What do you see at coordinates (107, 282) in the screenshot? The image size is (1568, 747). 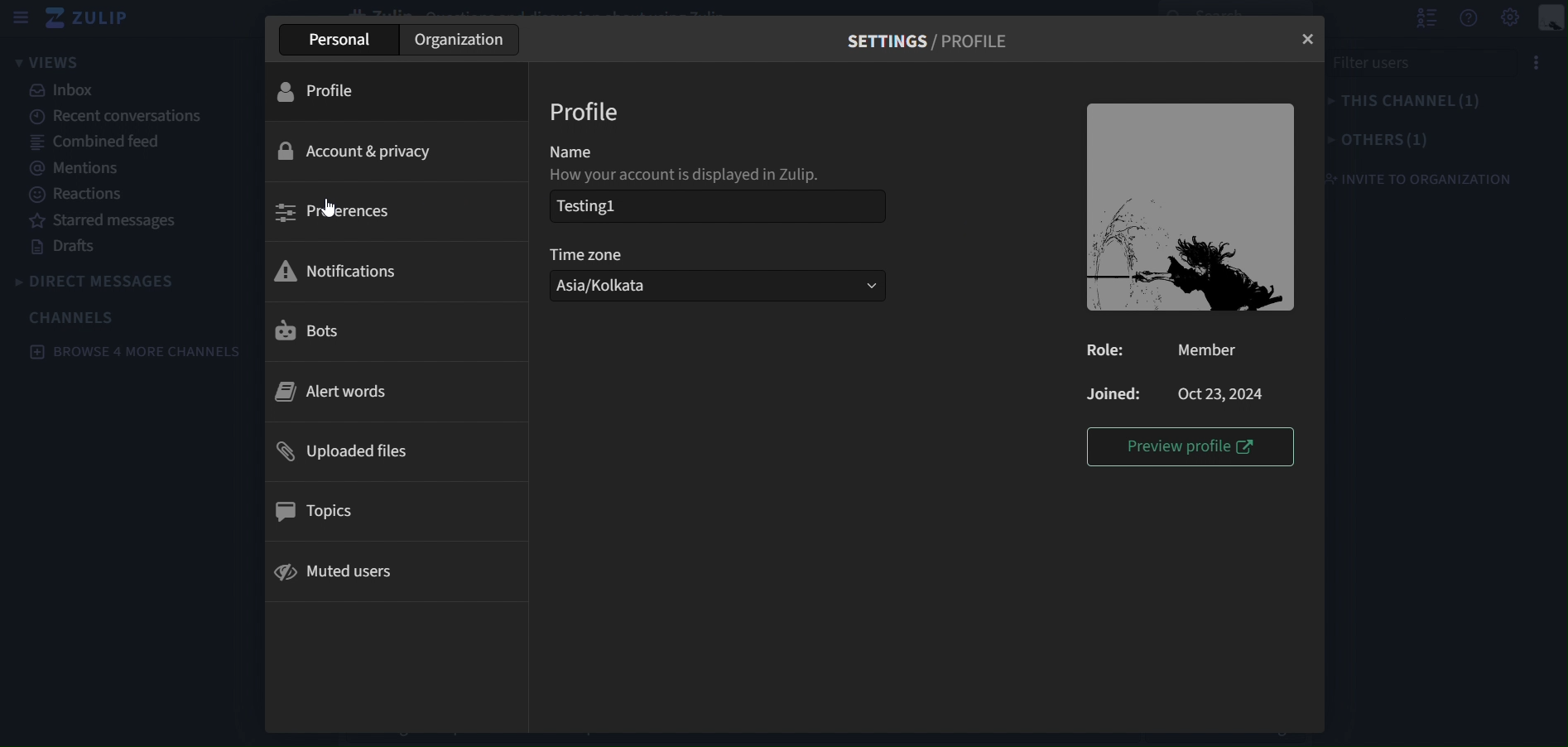 I see `direct messages` at bounding box center [107, 282].